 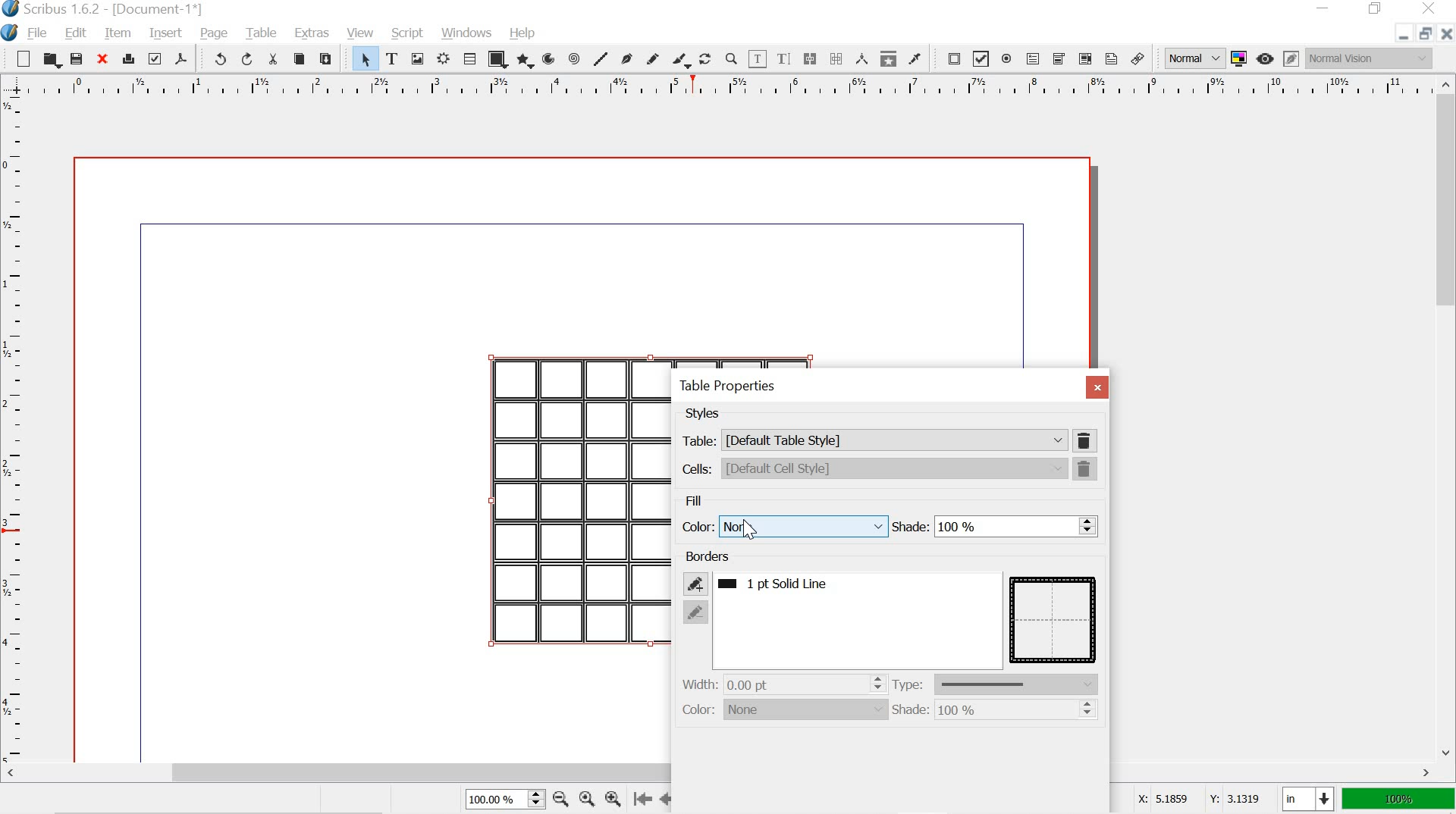 What do you see at coordinates (725, 387) in the screenshot?
I see `table properties` at bounding box center [725, 387].